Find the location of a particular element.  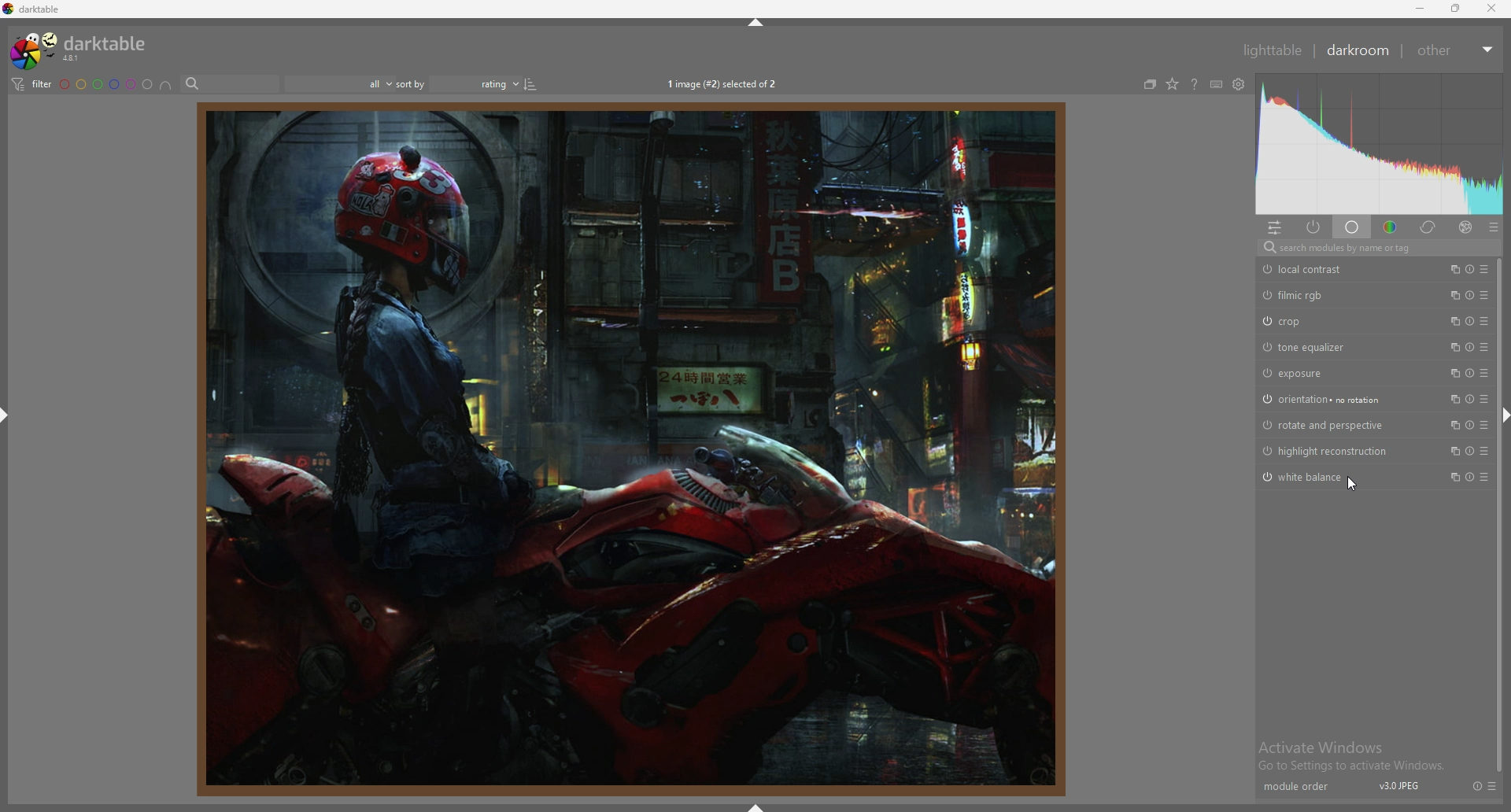

presets is located at coordinates (1484, 348).